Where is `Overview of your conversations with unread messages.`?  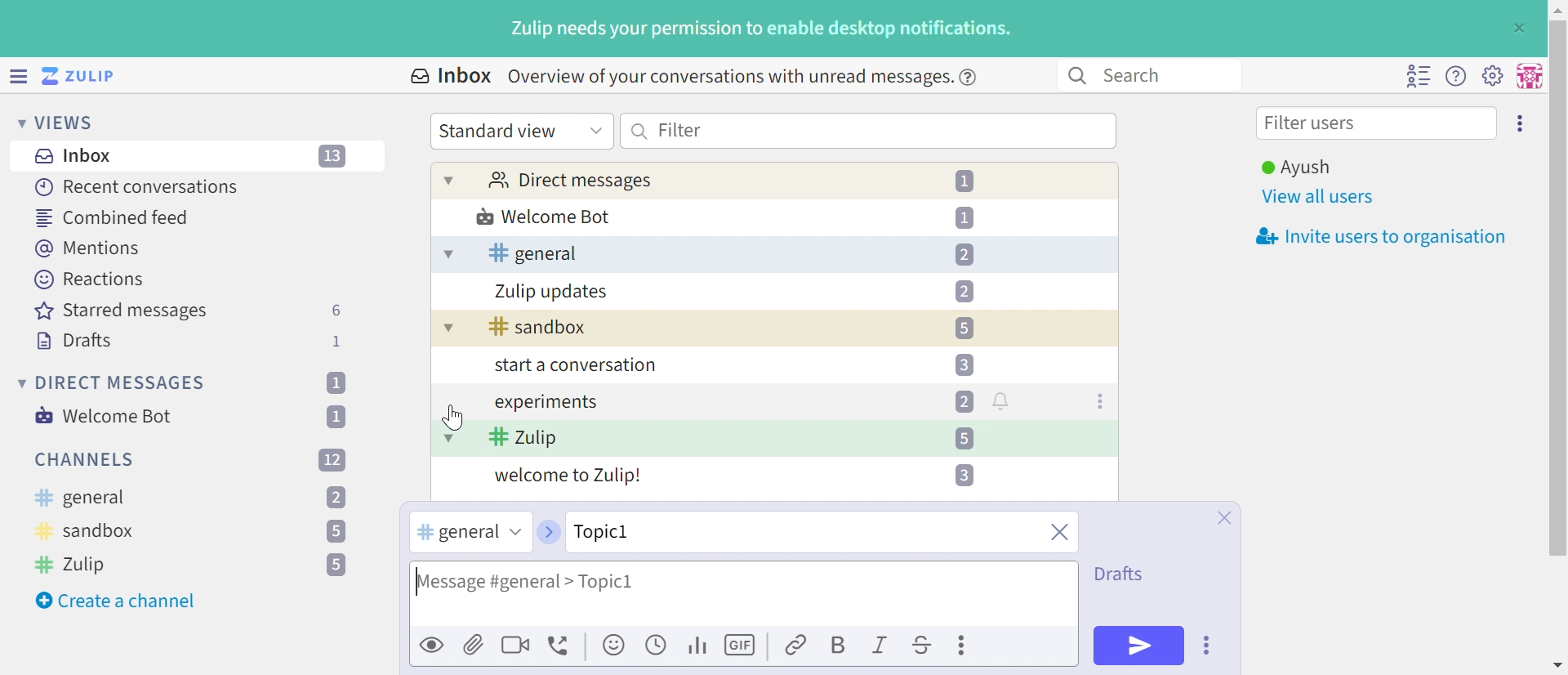
Overview of your conversations with unread messages. is located at coordinates (727, 76).